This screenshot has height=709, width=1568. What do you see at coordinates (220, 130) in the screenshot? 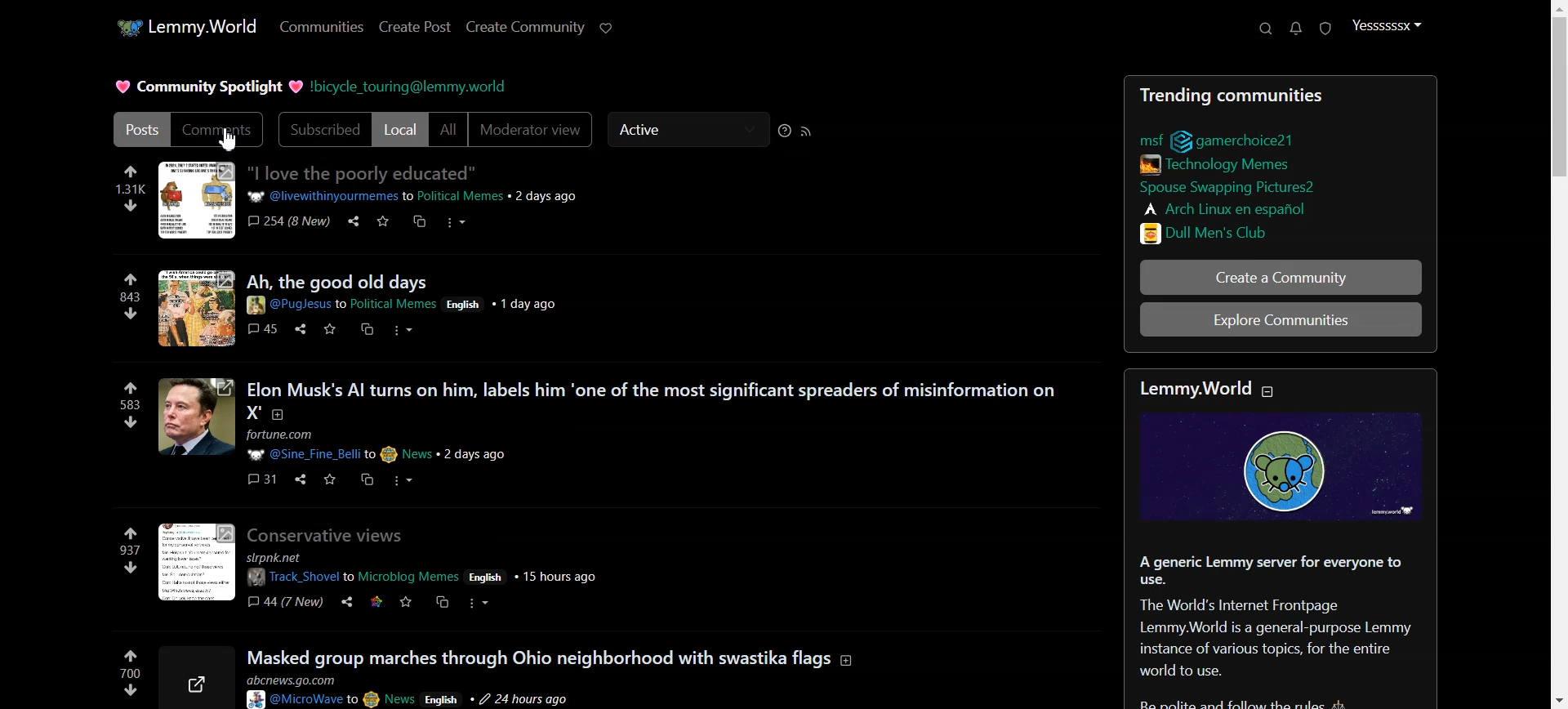
I see `Comments` at bounding box center [220, 130].